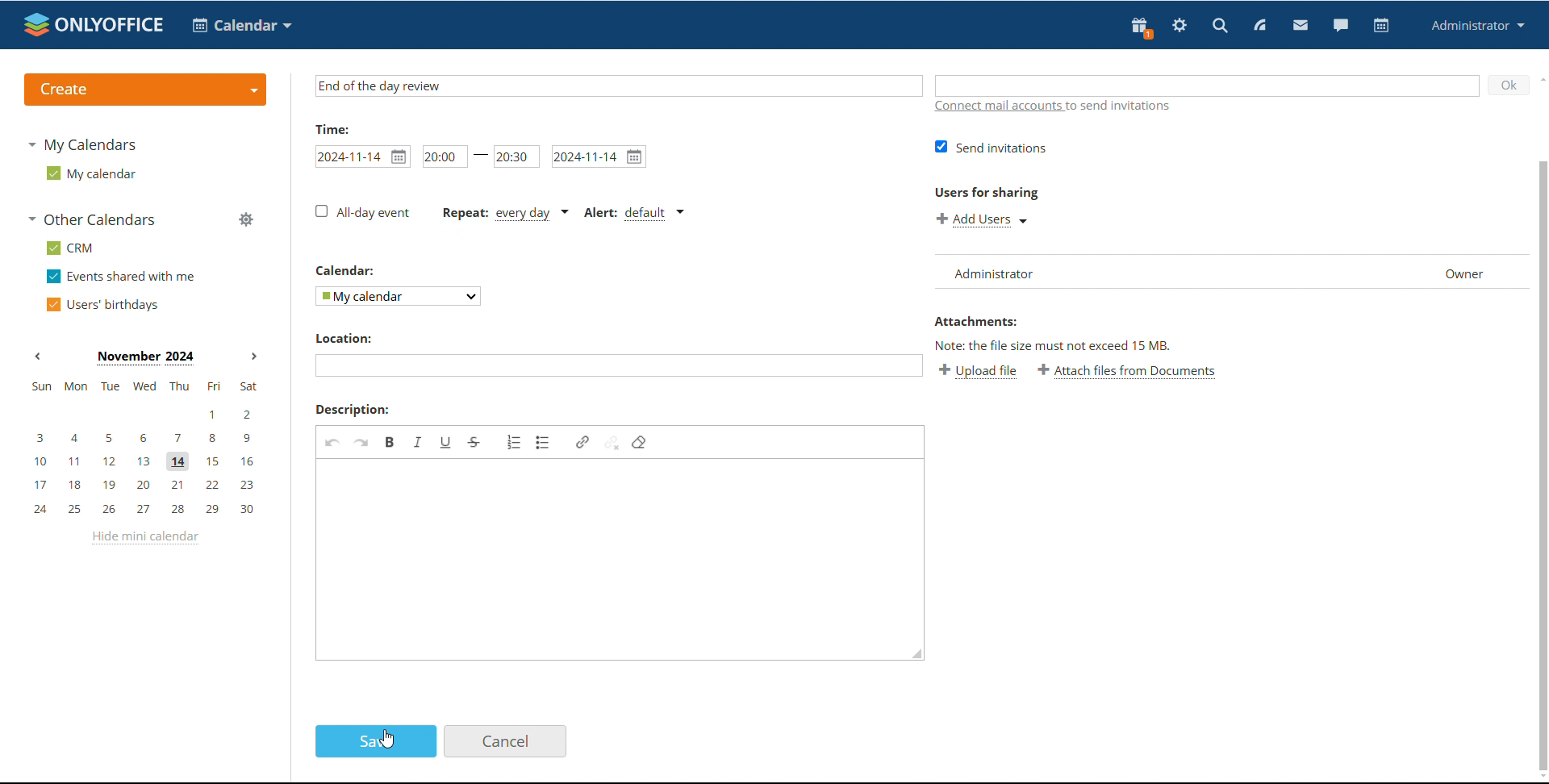 The height and width of the screenshot is (784, 1549). I want to click on present, so click(1140, 27).